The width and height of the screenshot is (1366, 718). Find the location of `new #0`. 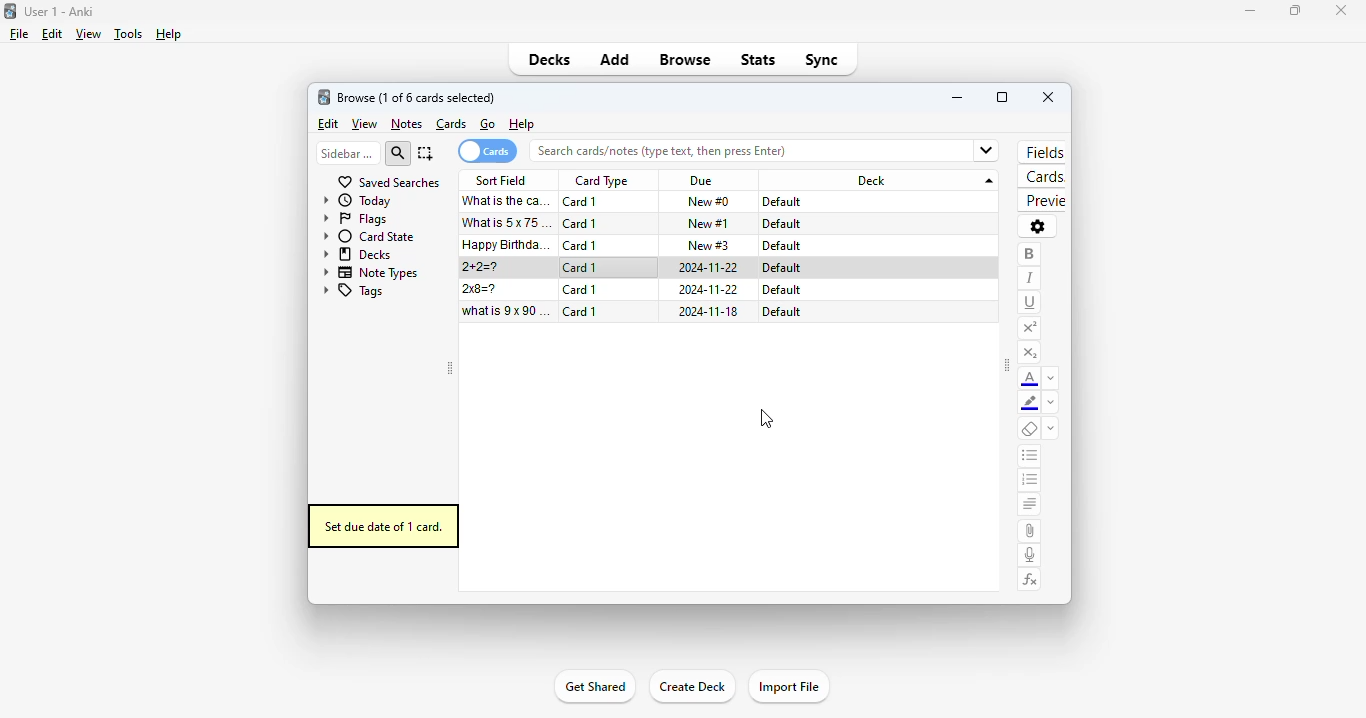

new #0 is located at coordinates (708, 202).